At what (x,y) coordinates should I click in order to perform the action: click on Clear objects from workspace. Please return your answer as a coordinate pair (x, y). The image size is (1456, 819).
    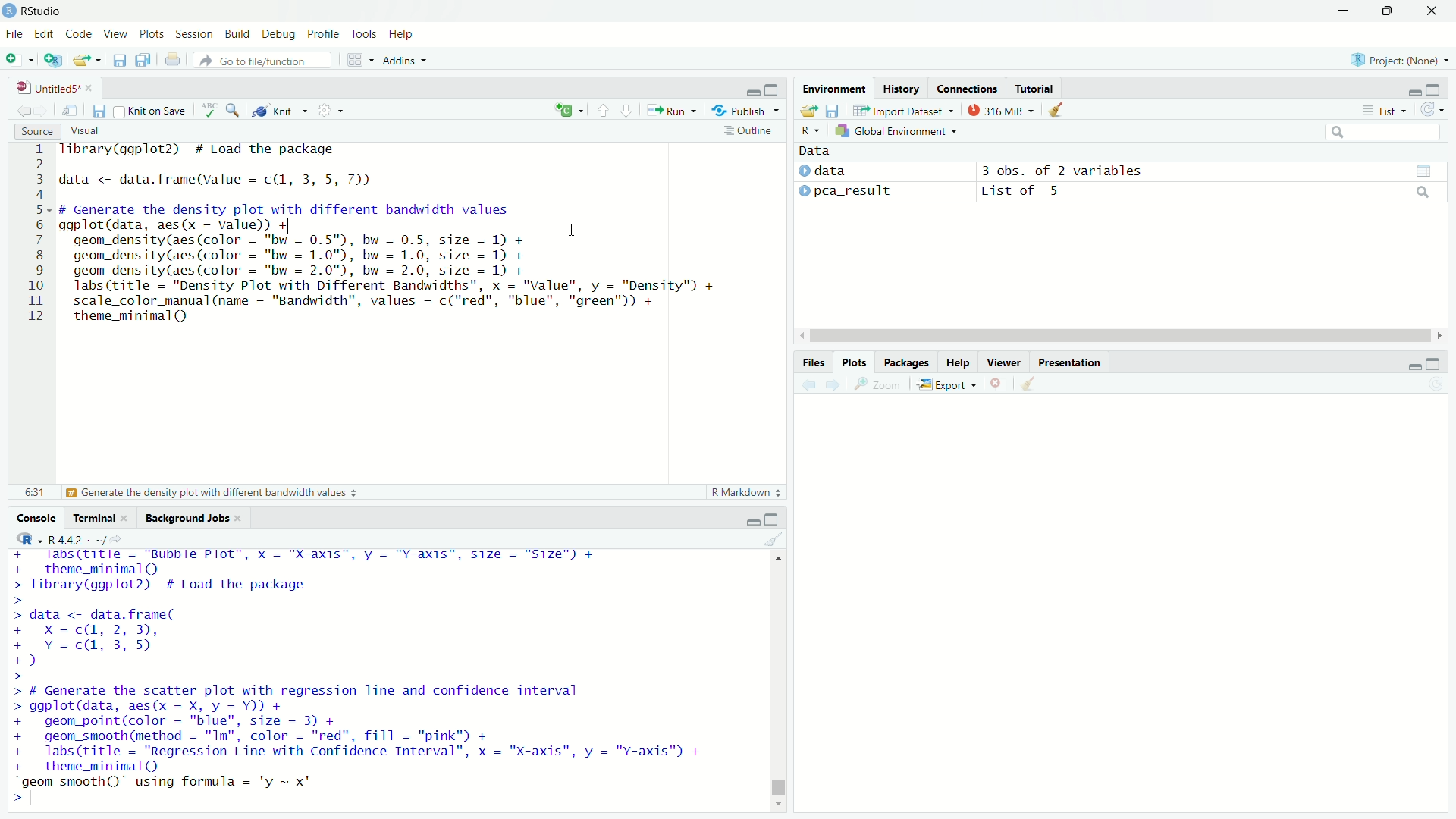
    Looking at the image, I should click on (1057, 110).